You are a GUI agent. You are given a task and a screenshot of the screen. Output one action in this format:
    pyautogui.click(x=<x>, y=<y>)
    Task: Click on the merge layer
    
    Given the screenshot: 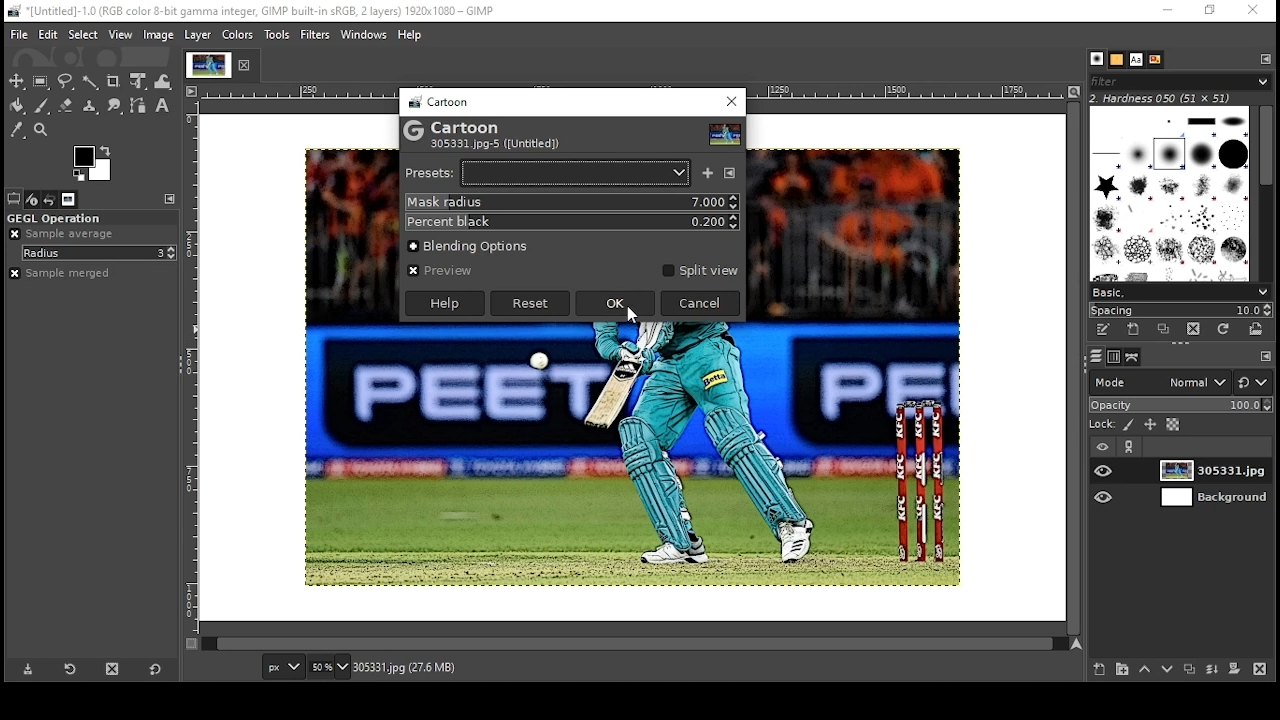 What is the action you would take?
    pyautogui.click(x=1213, y=671)
    